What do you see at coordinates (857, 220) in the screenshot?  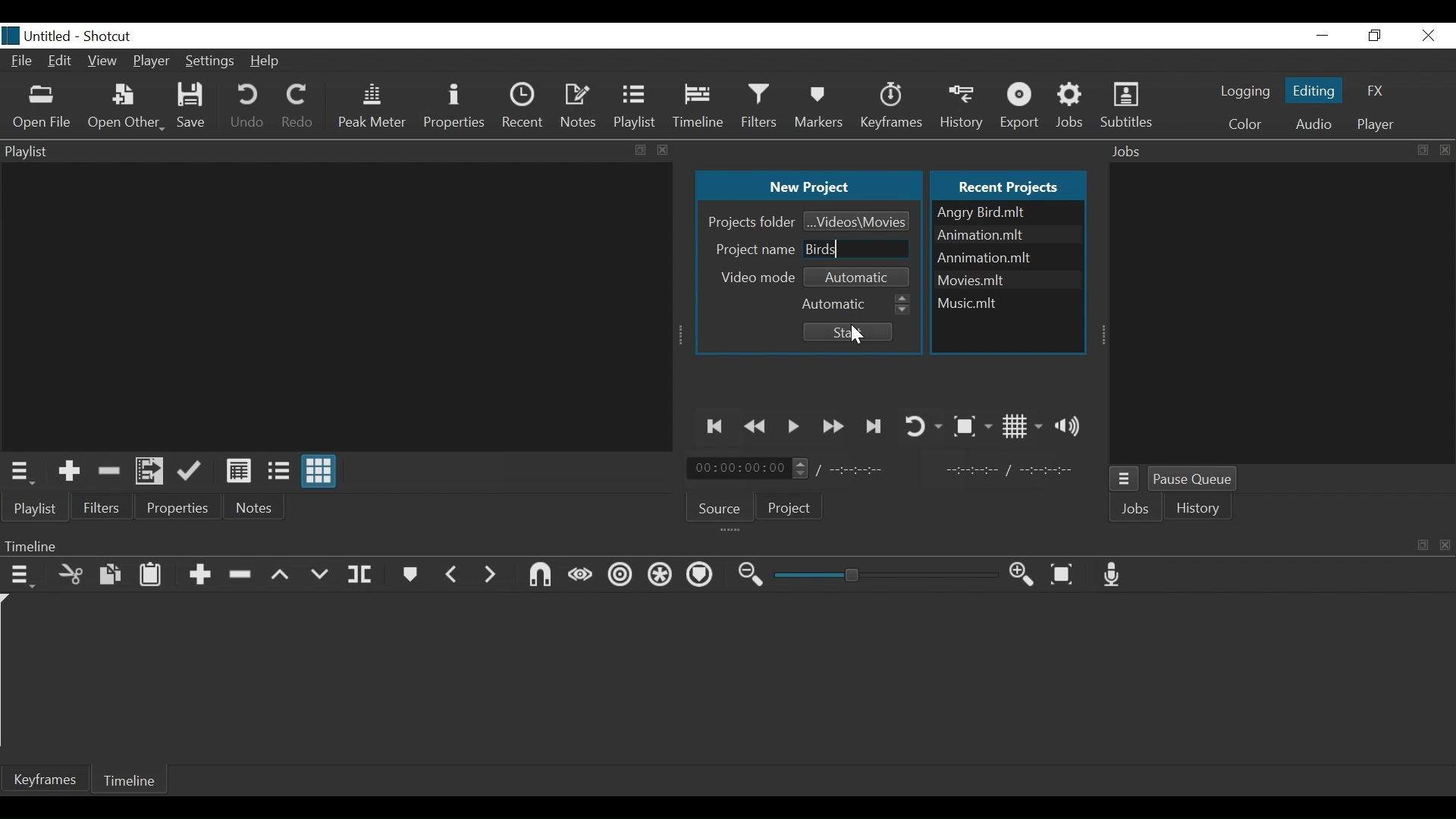 I see `Browse` at bounding box center [857, 220].